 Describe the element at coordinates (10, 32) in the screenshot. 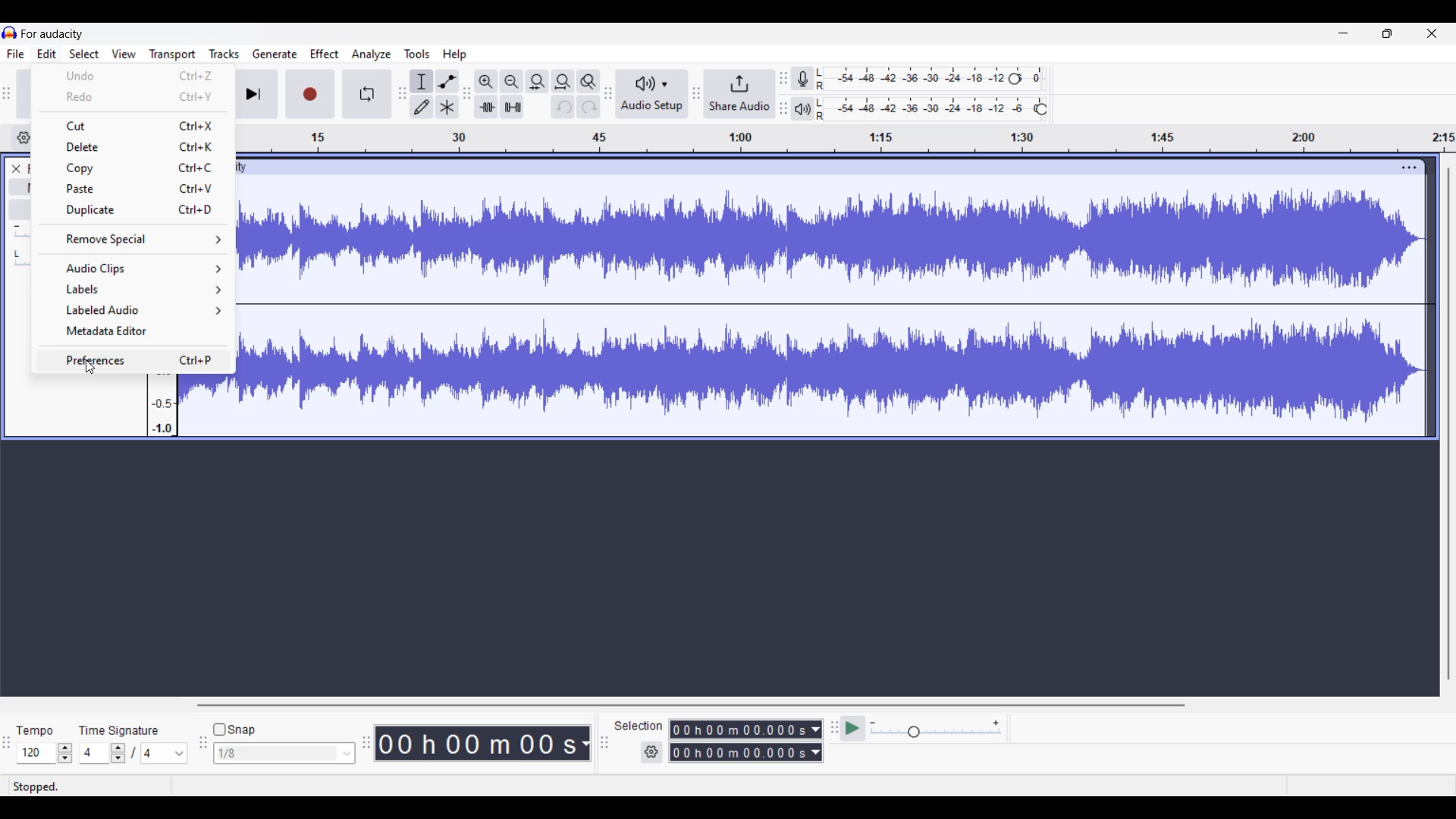

I see `Software logo` at that location.